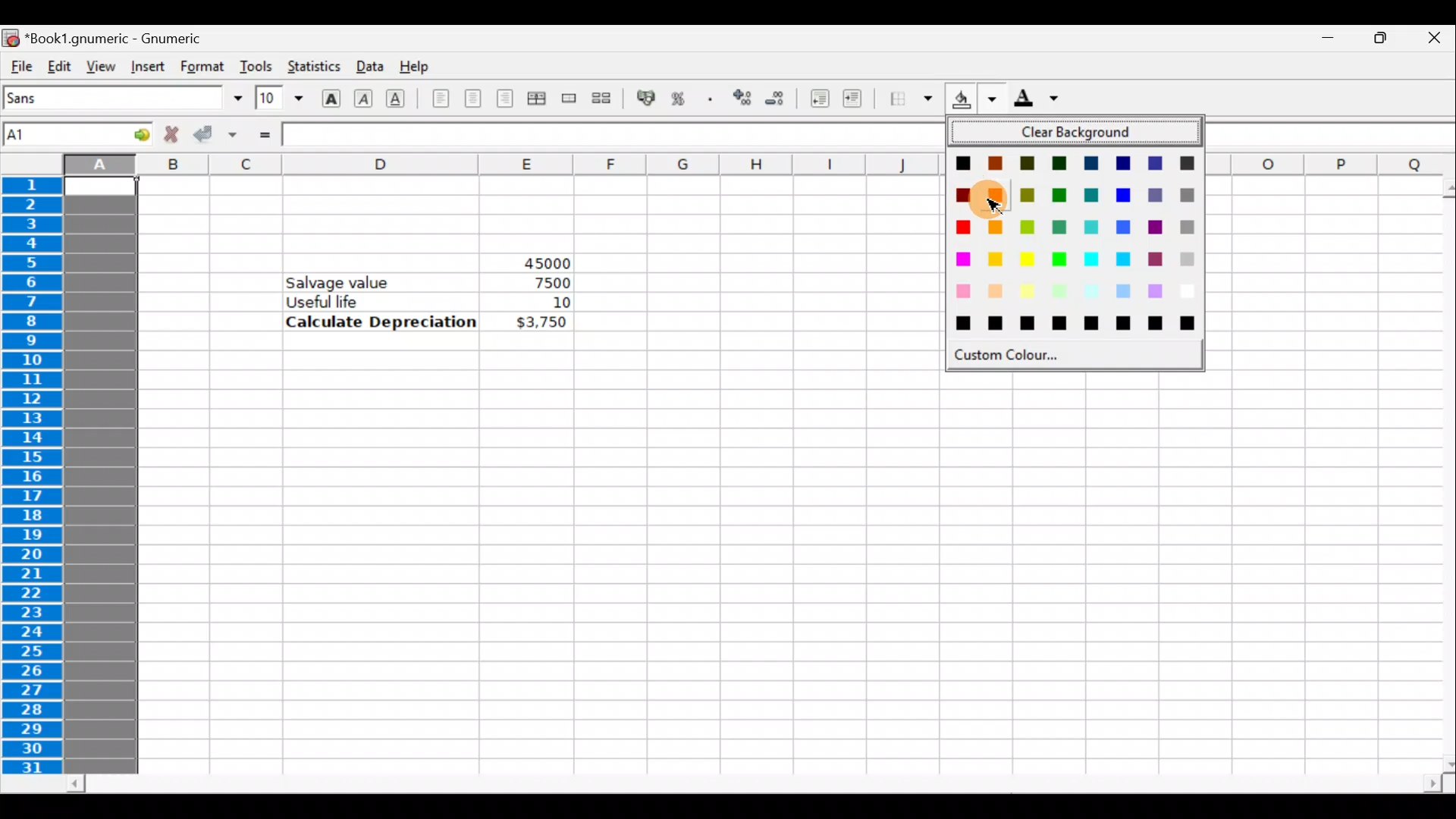 The height and width of the screenshot is (819, 1456). What do you see at coordinates (120, 99) in the screenshot?
I see `Font name - Sans` at bounding box center [120, 99].